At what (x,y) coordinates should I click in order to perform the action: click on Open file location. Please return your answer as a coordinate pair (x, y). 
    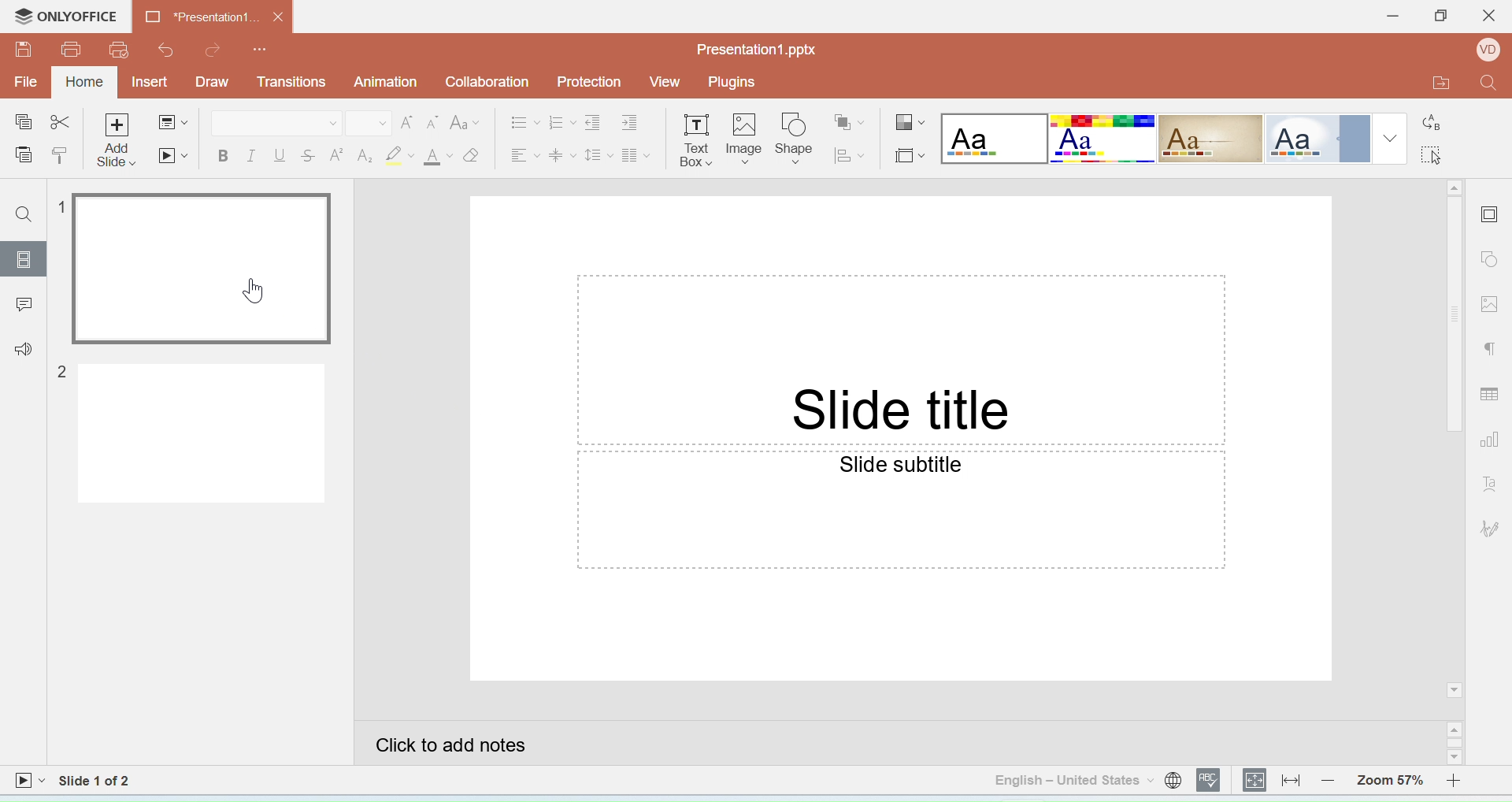
    Looking at the image, I should click on (1431, 84).